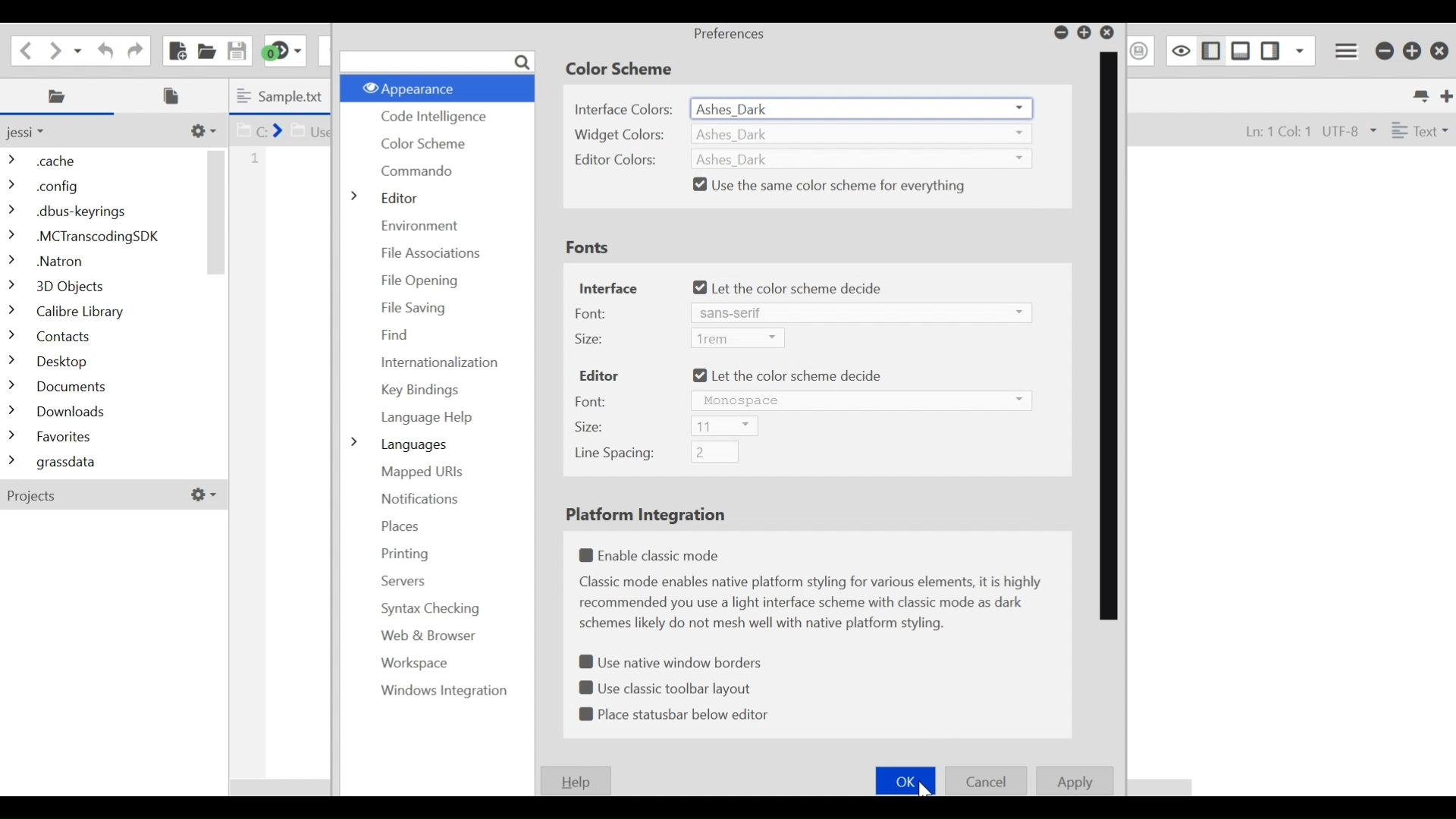 This screenshot has width=1456, height=819. Describe the element at coordinates (422, 472) in the screenshot. I see `Mapped URL` at that location.